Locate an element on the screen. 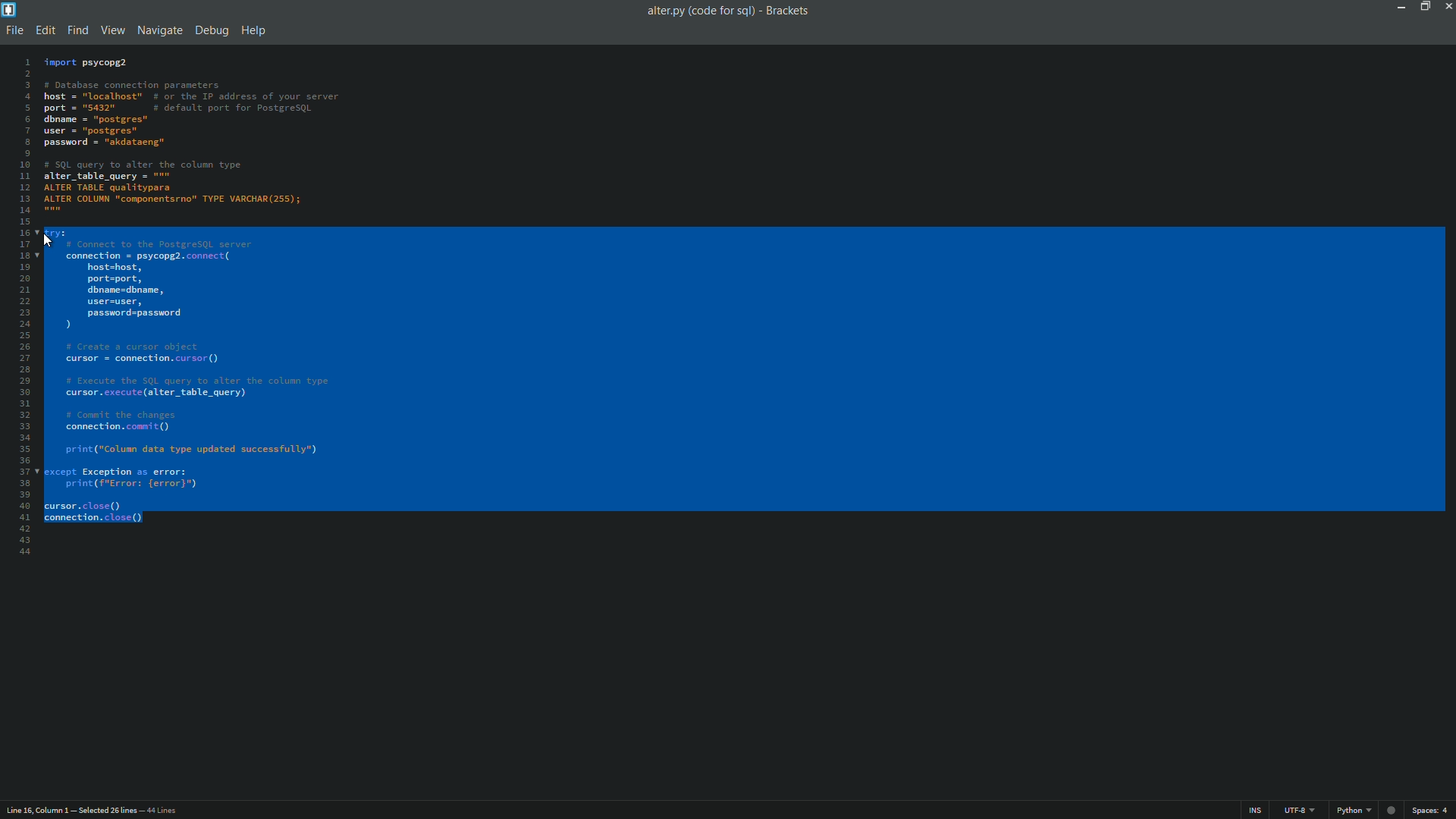 Image resolution: width=1456 pixels, height=819 pixels. find menu is located at coordinates (77, 30).